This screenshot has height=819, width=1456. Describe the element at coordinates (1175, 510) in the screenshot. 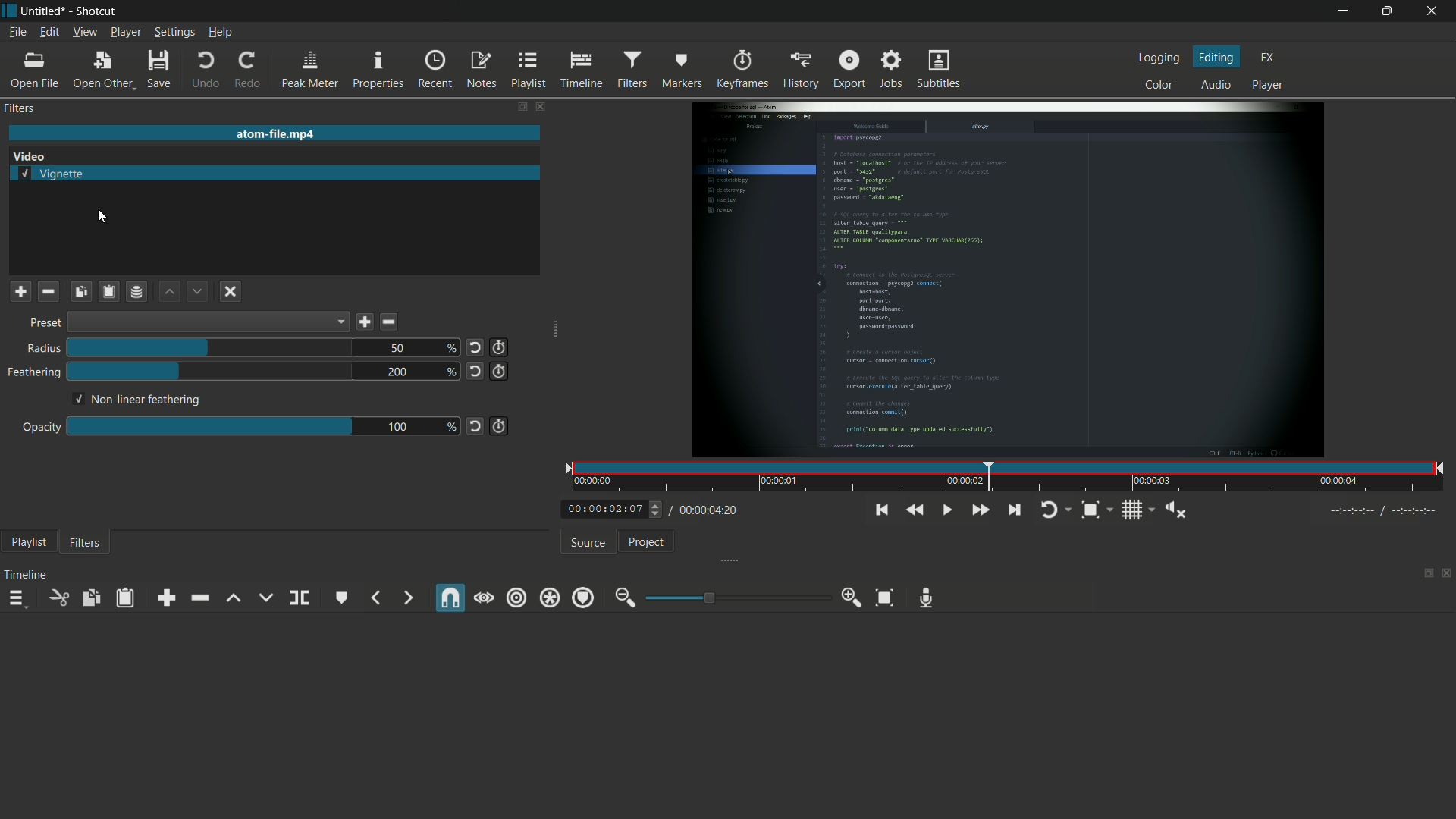

I see `show volume control` at that location.